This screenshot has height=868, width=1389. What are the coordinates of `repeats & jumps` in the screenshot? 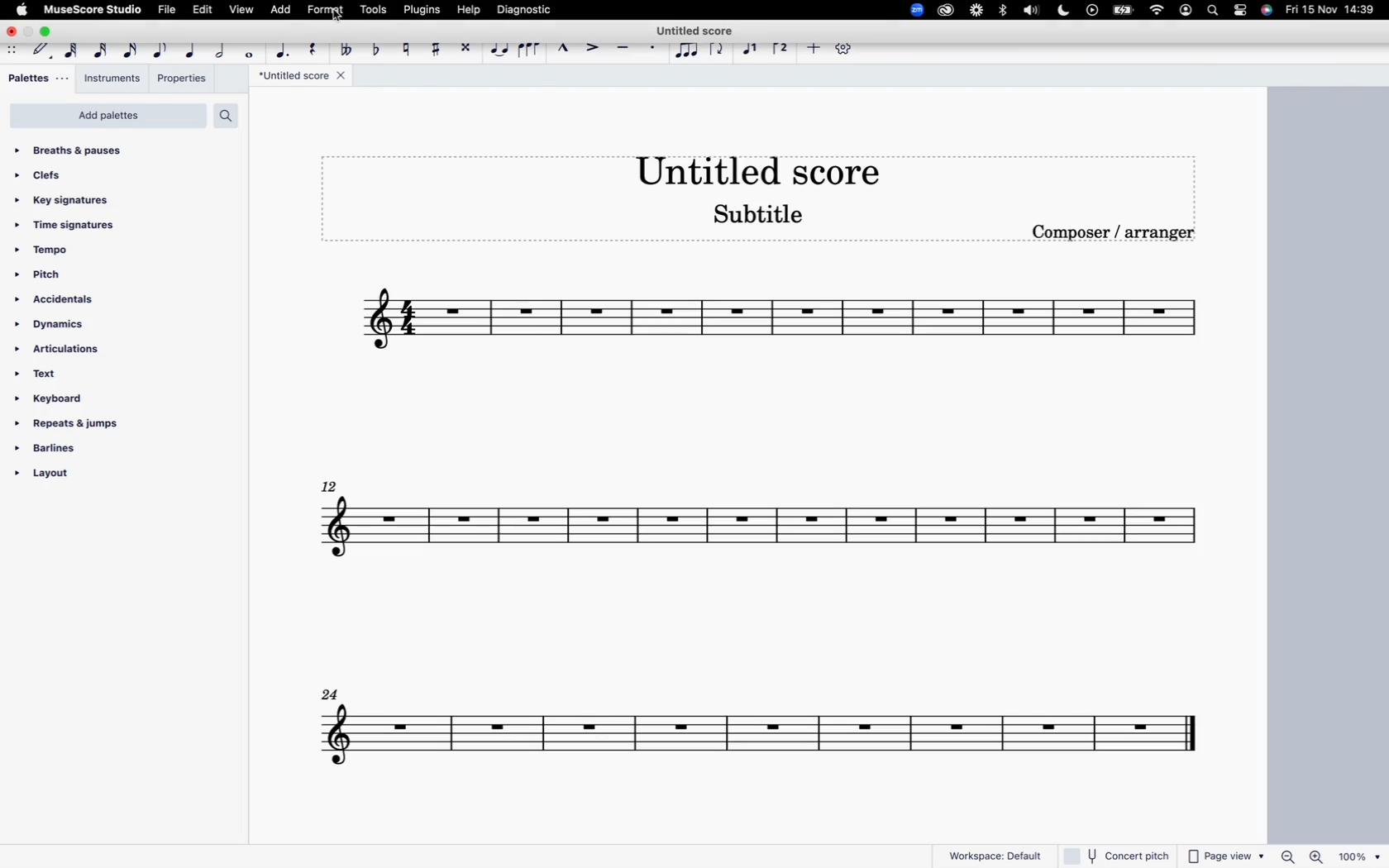 It's located at (74, 424).